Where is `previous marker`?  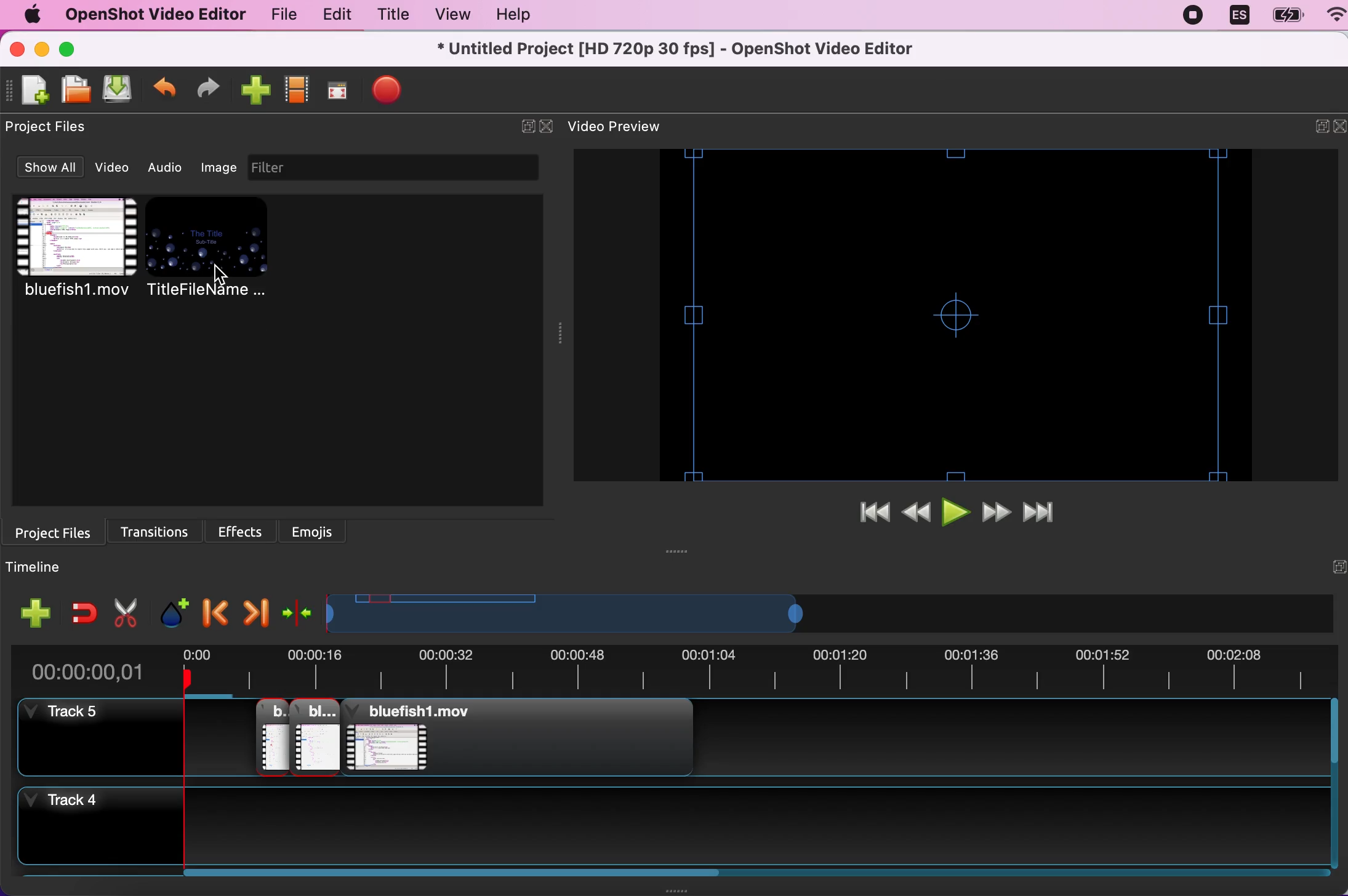
previous marker is located at coordinates (214, 609).